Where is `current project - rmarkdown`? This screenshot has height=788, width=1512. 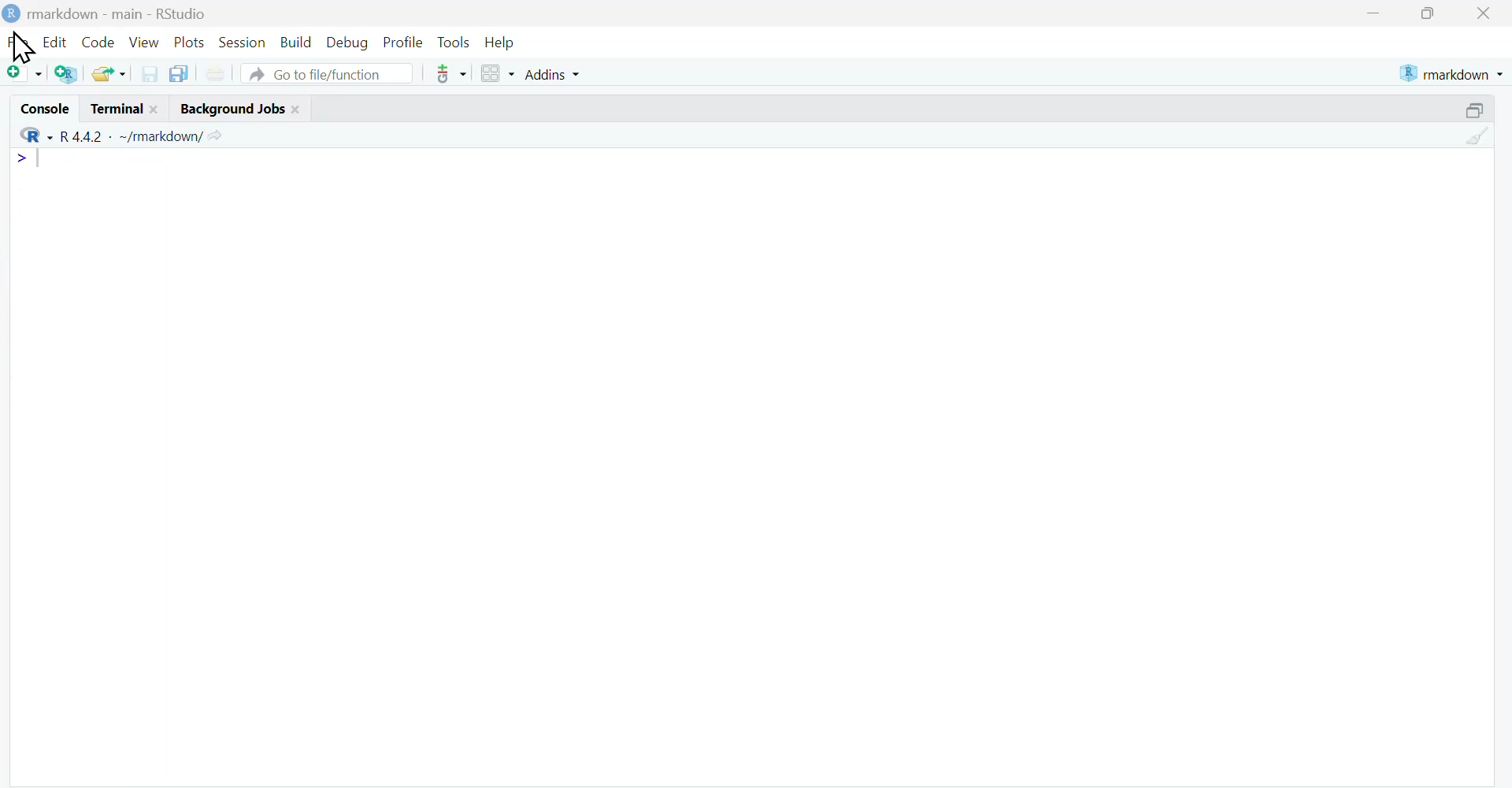 current project - rmarkdown is located at coordinates (1451, 73).